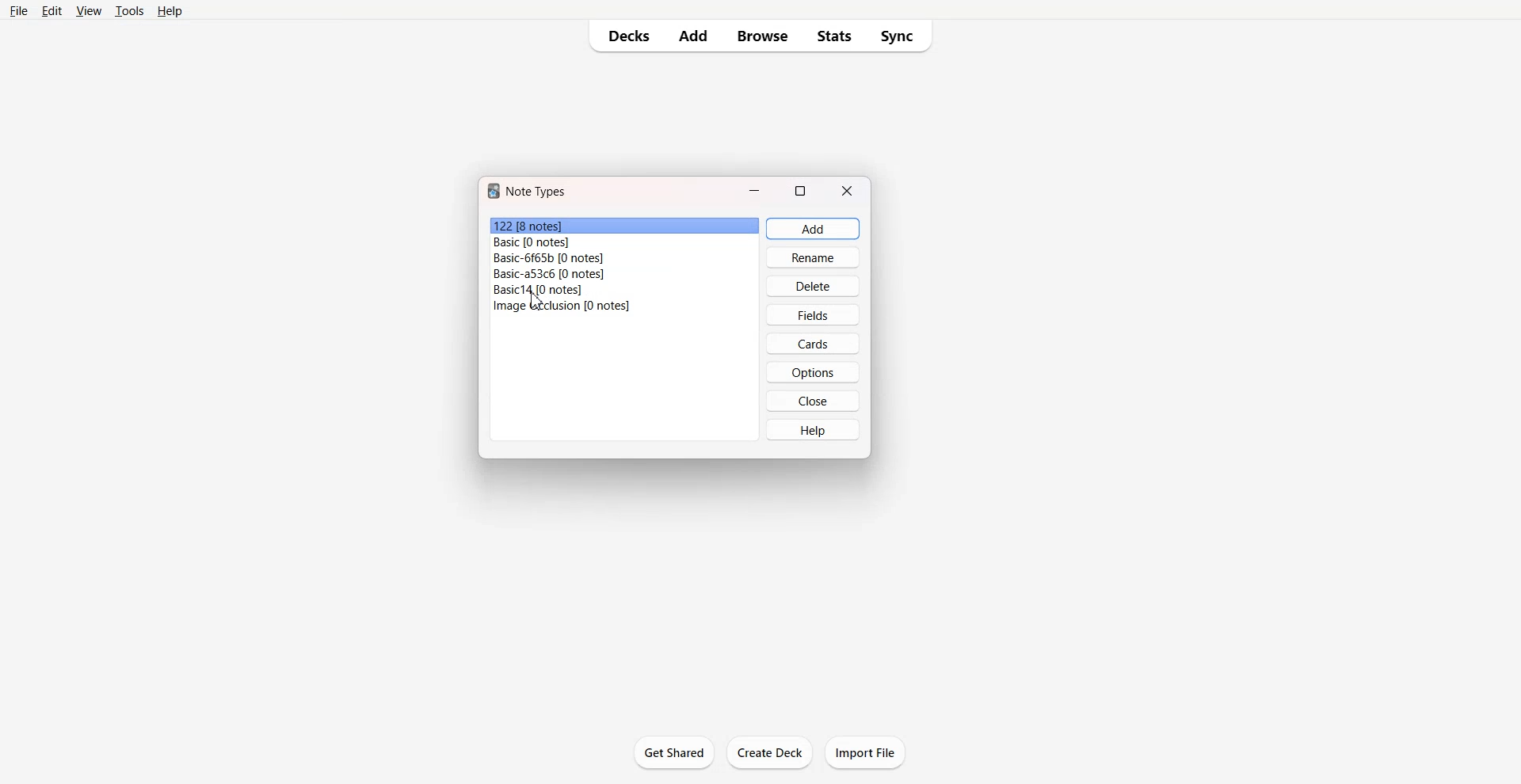 This screenshot has height=784, width=1521. What do you see at coordinates (624, 290) in the screenshot?
I see `File` at bounding box center [624, 290].